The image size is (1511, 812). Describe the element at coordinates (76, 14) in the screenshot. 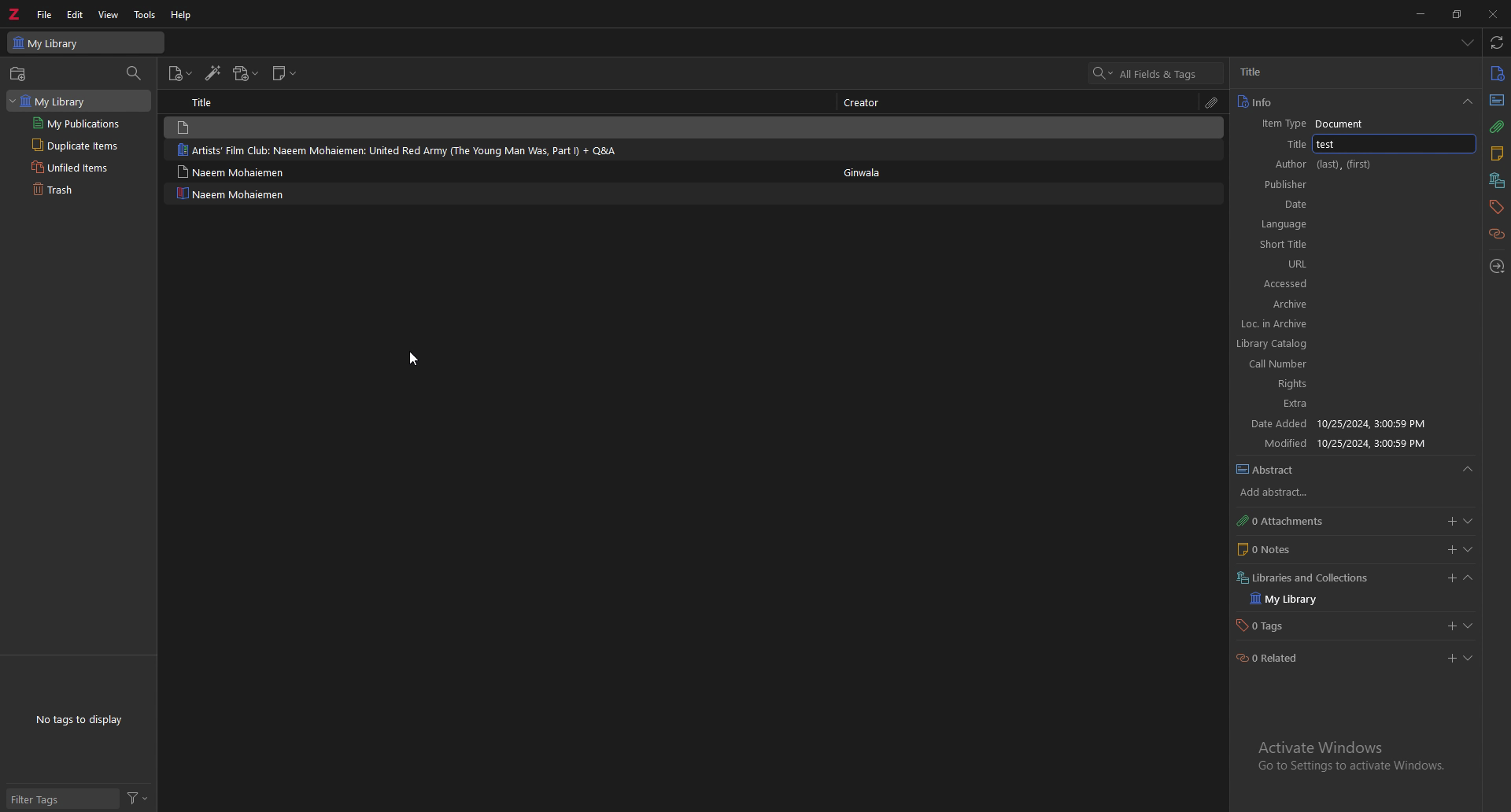

I see `edit` at that location.